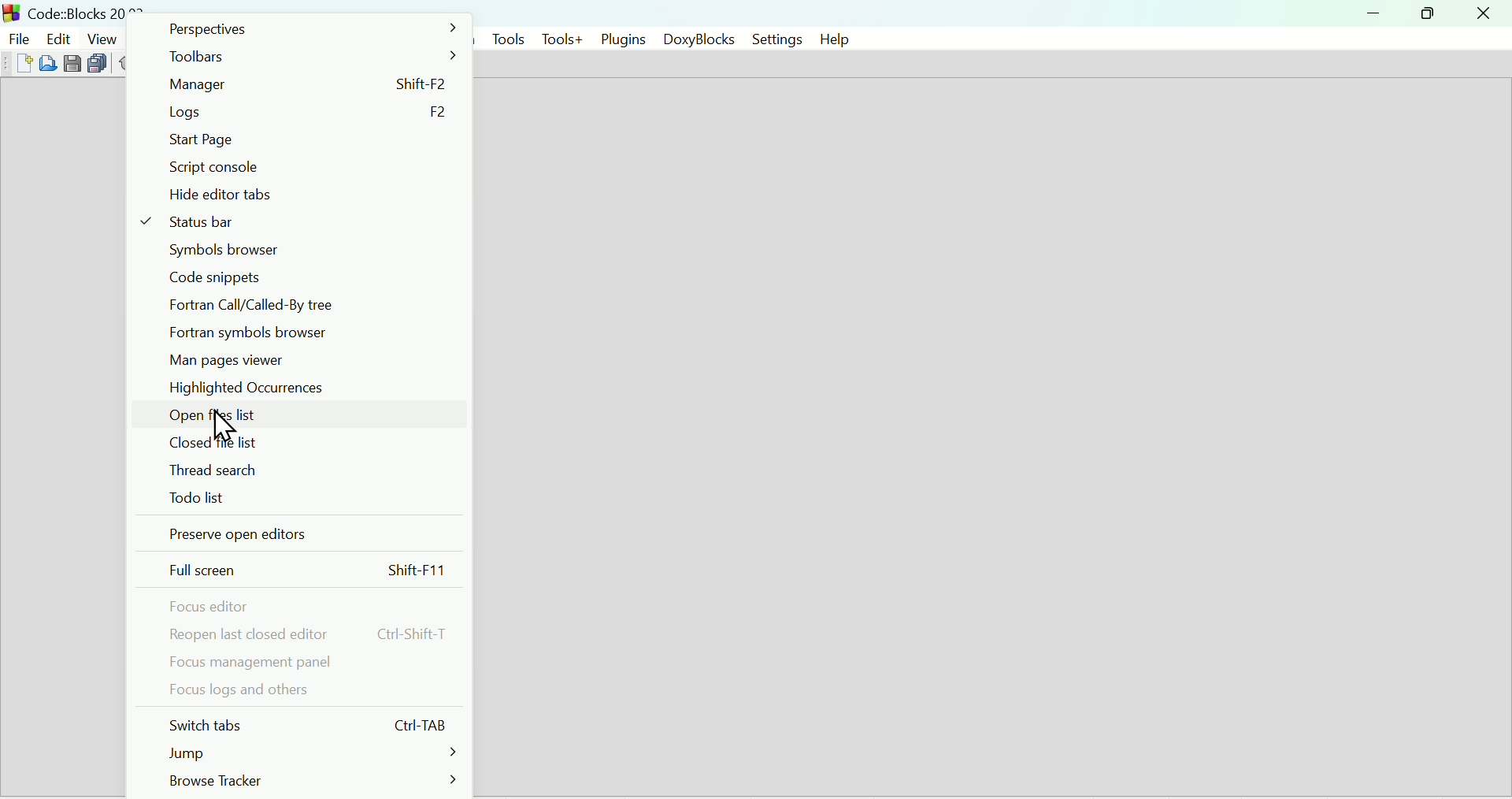  What do you see at coordinates (307, 634) in the screenshot?
I see `reopen last closed editor` at bounding box center [307, 634].